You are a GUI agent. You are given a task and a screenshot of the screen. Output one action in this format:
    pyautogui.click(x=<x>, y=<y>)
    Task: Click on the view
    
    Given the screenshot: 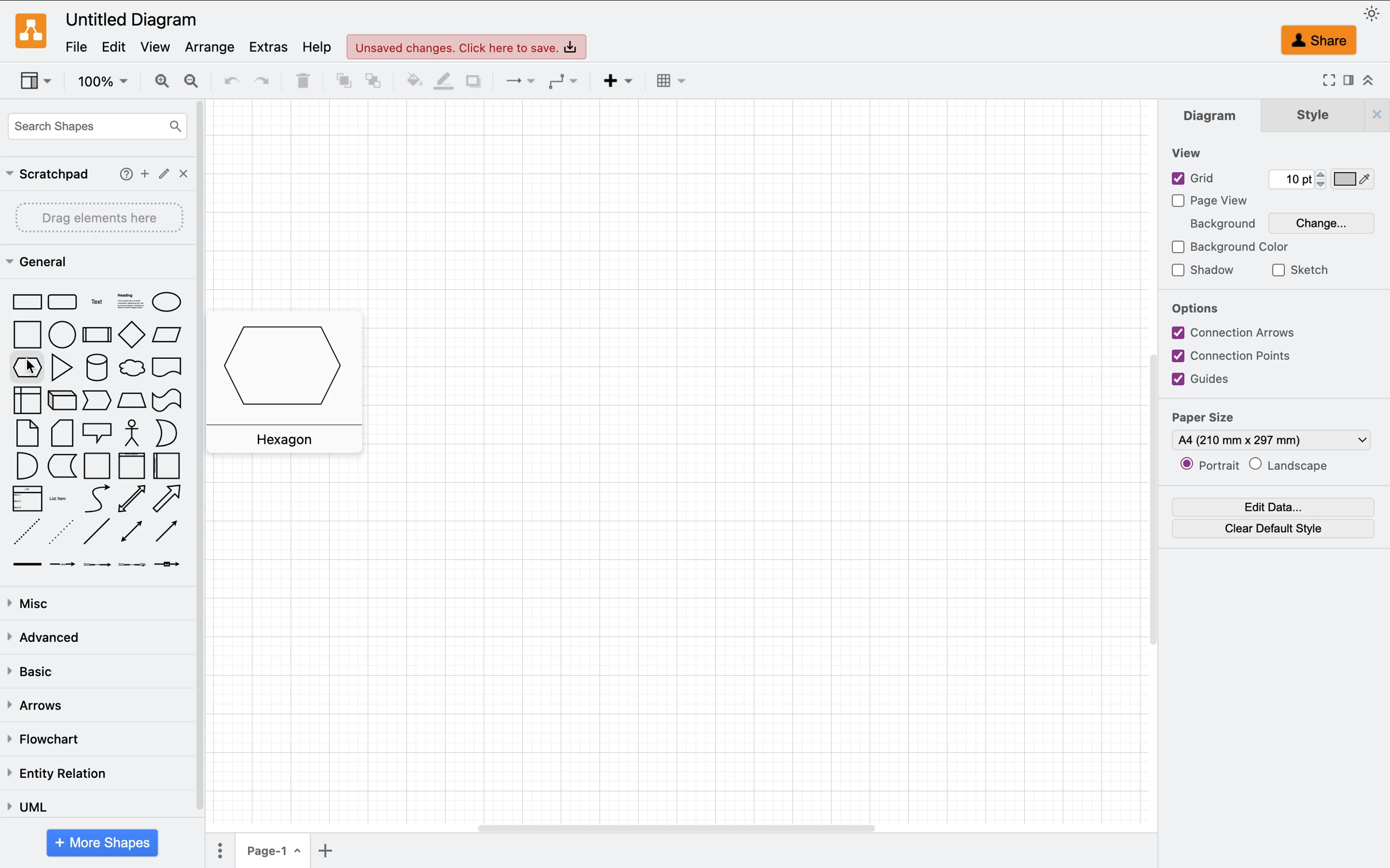 What is the action you would take?
    pyautogui.click(x=157, y=46)
    